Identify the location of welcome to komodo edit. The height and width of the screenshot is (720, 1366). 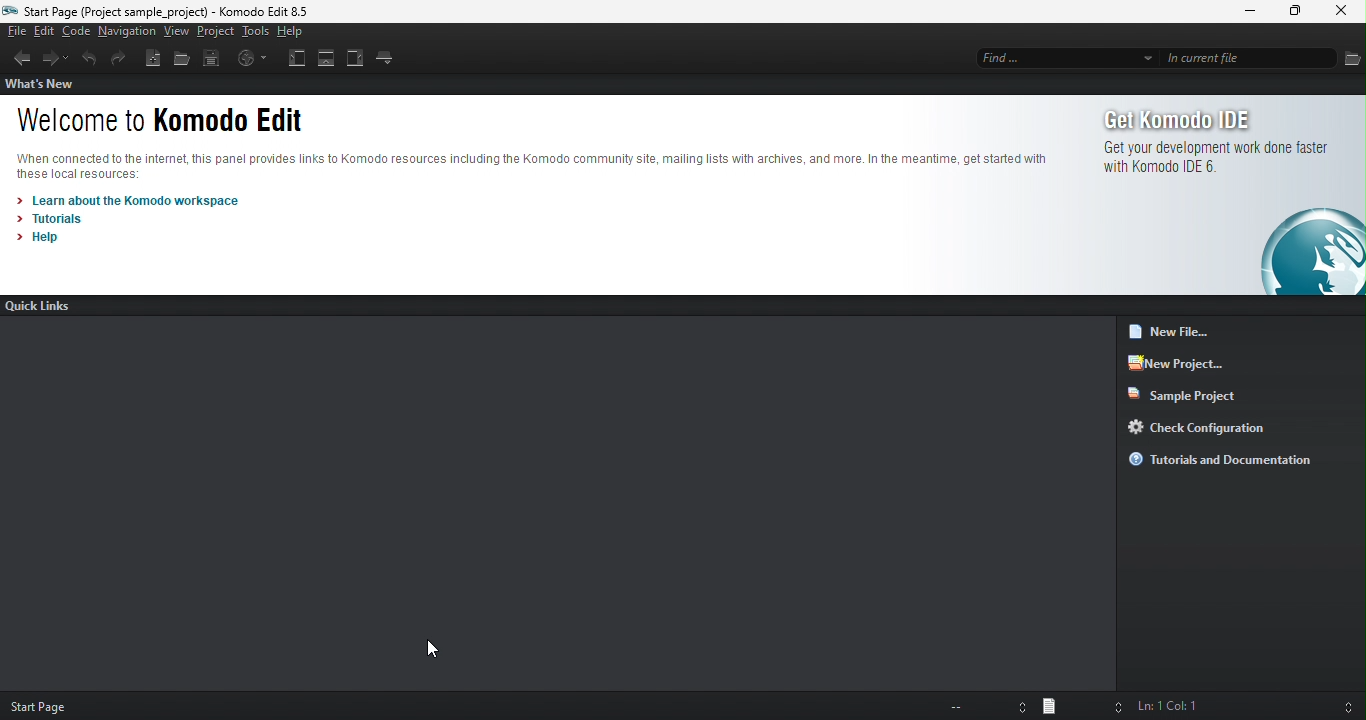
(170, 116).